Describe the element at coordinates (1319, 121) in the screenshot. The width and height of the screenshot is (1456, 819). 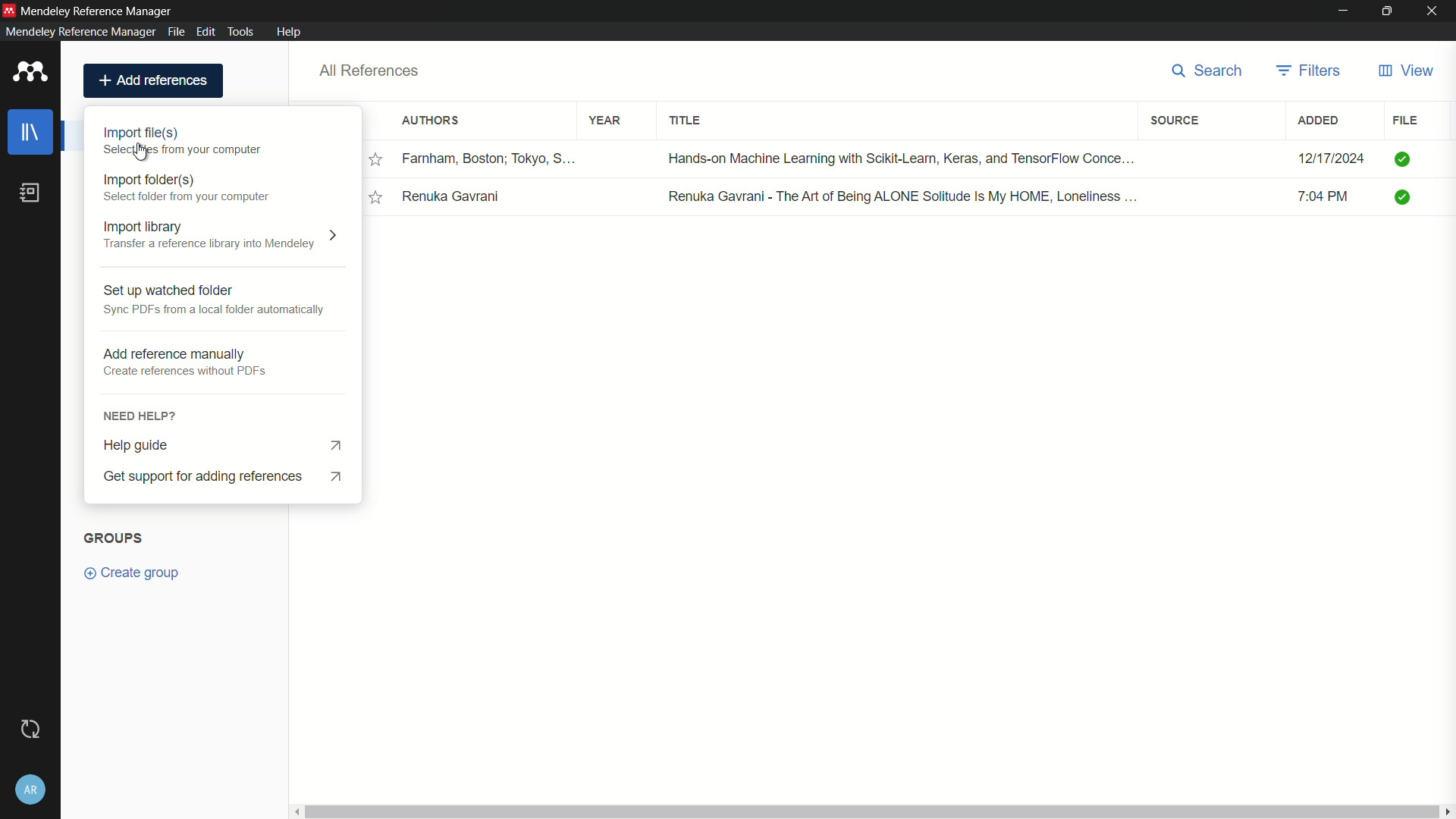
I see `added` at that location.